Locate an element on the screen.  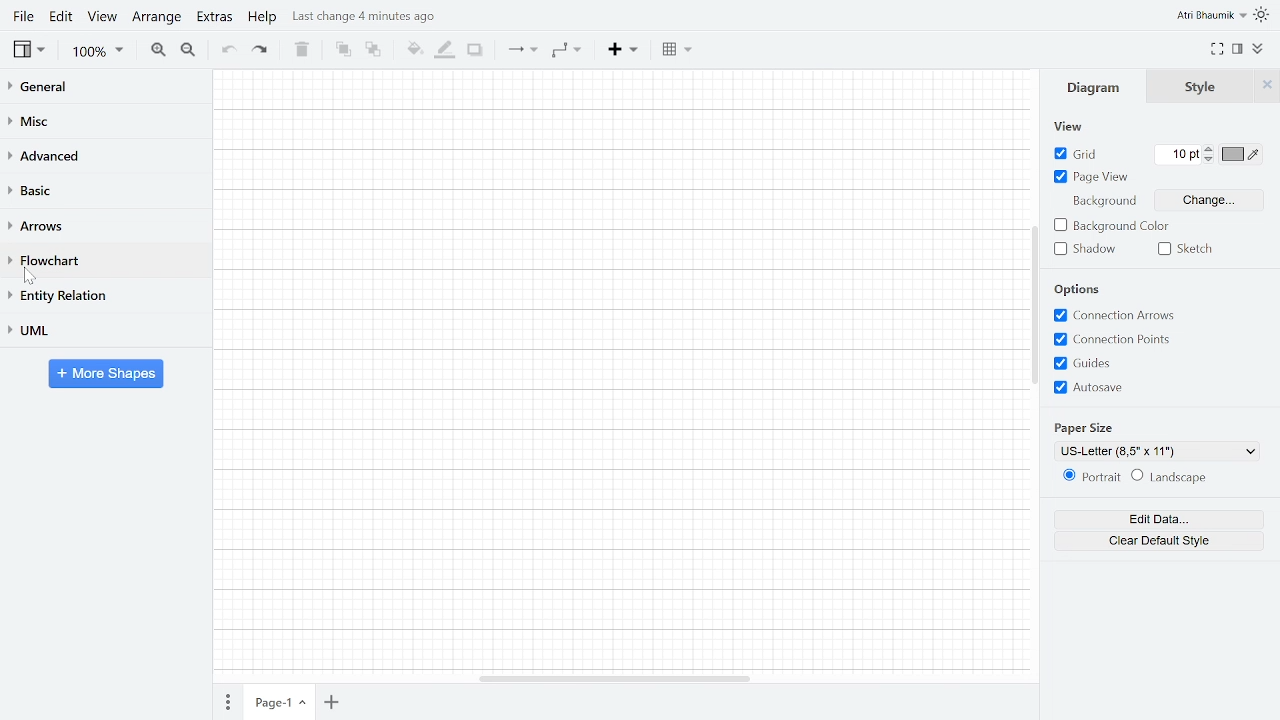
Delete is located at coordinates (303, 51).